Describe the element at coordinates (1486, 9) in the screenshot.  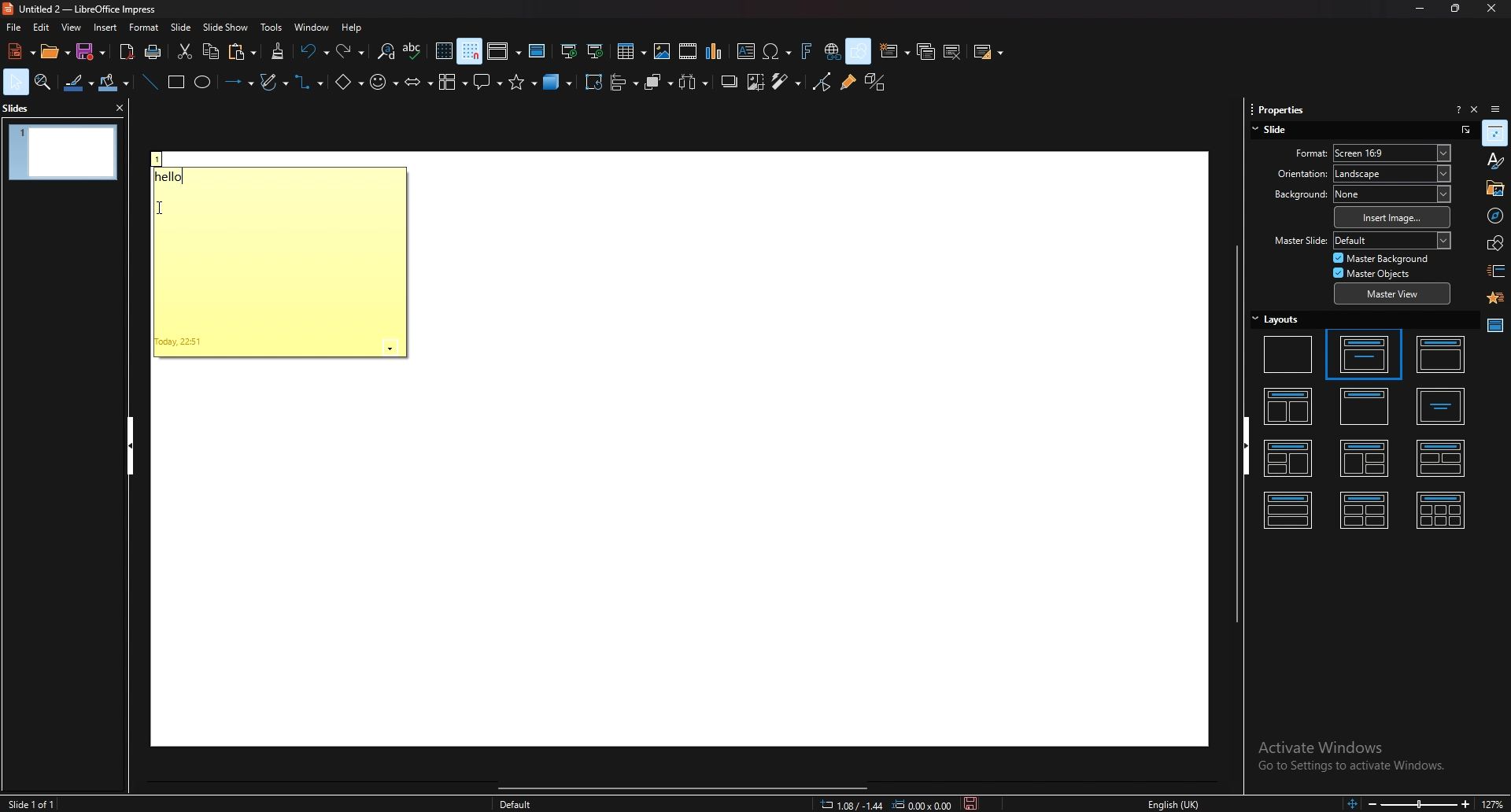
I see `close` at that location.